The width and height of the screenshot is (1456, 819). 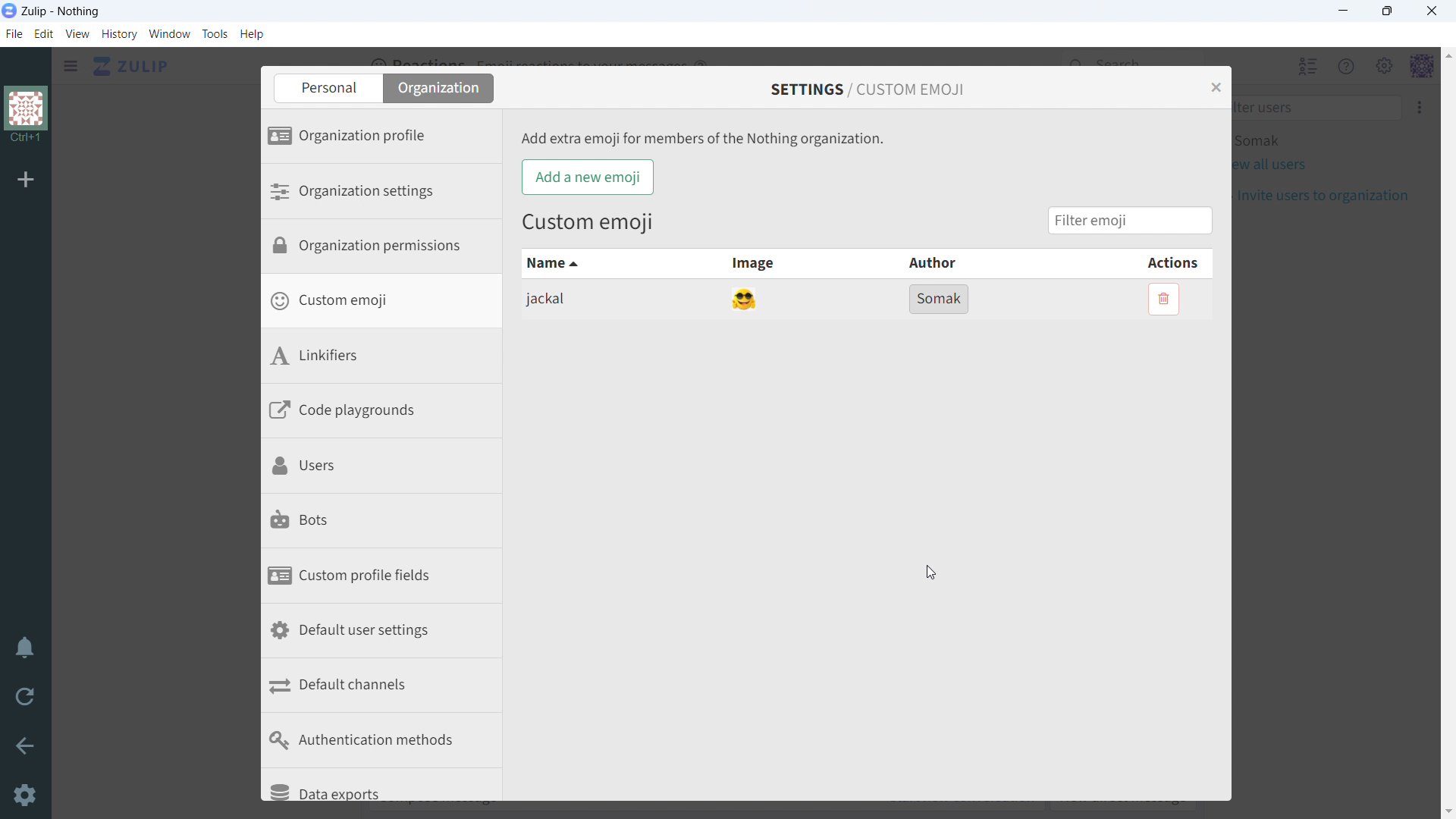 What do you see at coordinates (390, 687) in the screenshot?
I see `default channels` at bounding box center [390, 687].